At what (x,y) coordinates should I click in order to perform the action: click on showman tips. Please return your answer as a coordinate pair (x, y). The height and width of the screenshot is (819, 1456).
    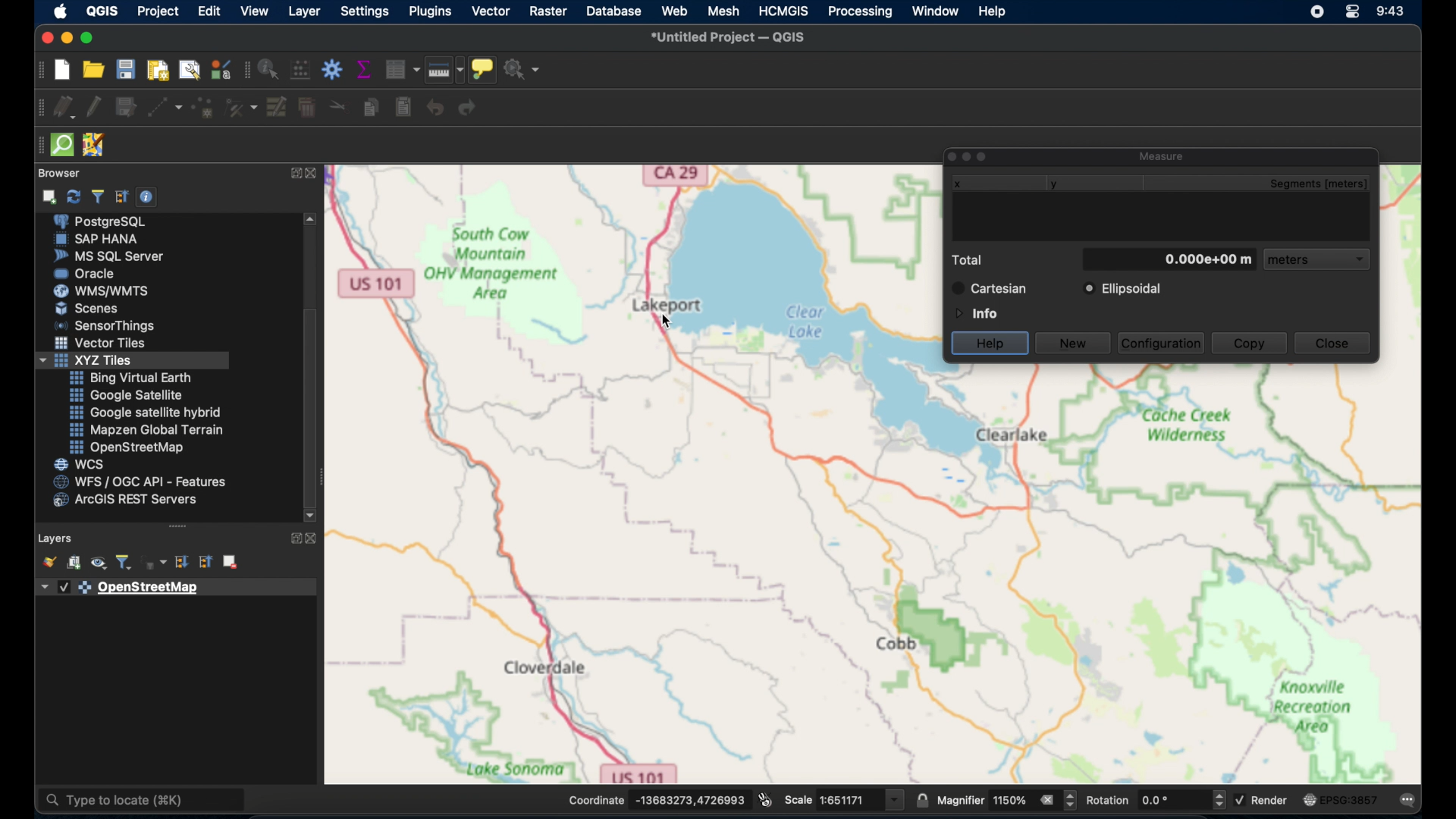
    Looking at the image, I should click on (483, 68).